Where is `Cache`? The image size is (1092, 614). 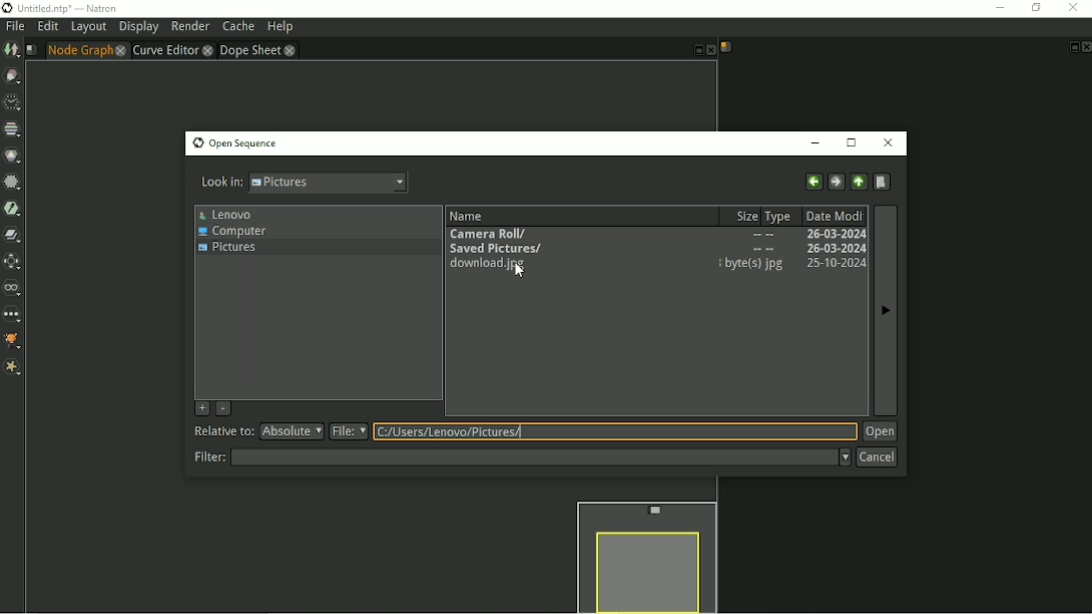 Cache is located at coordinates (238, 27).